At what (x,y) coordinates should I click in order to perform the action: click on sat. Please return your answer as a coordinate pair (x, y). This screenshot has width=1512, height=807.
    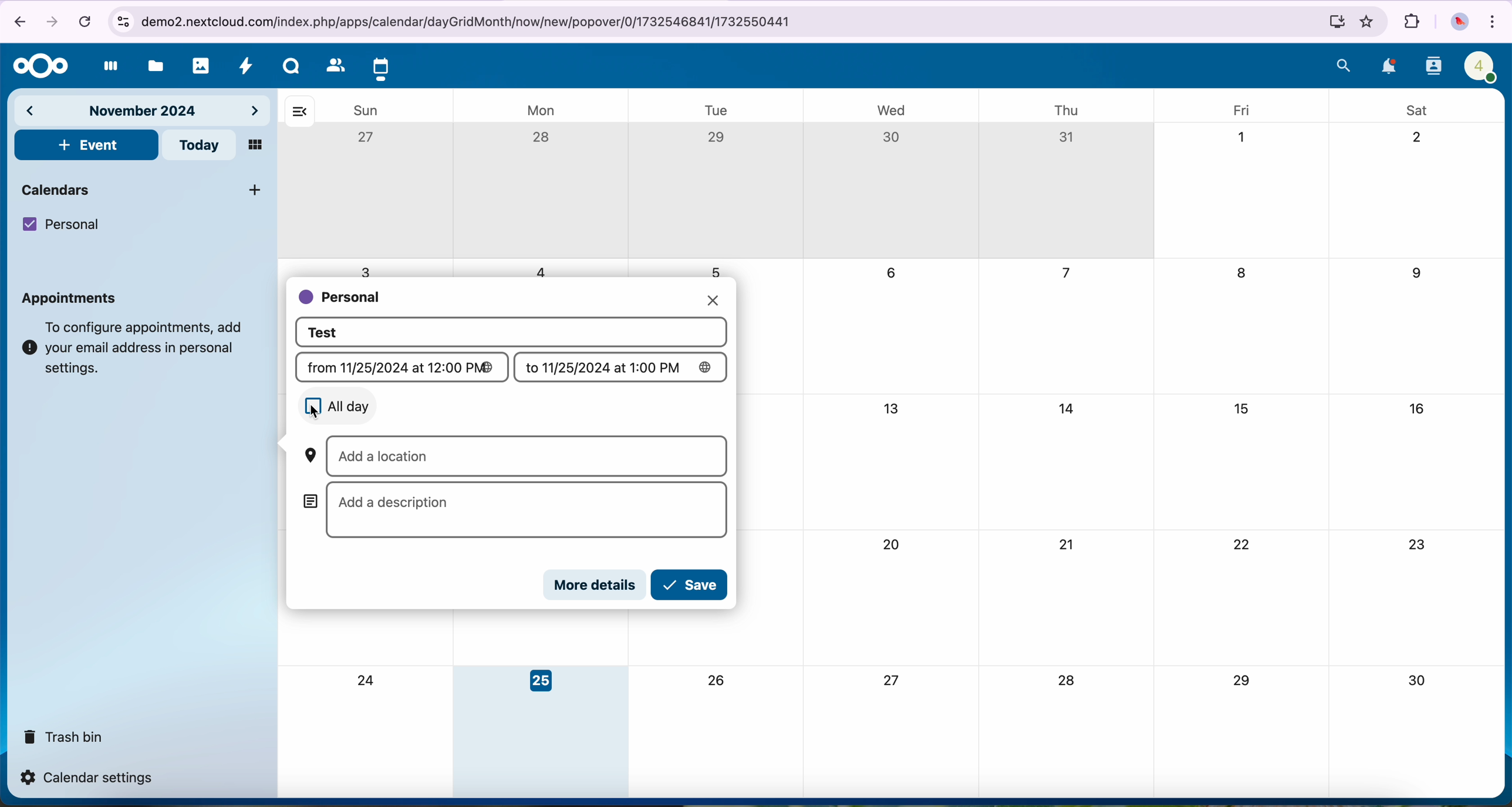
    Looking at the image, I should click on (1421, 110).